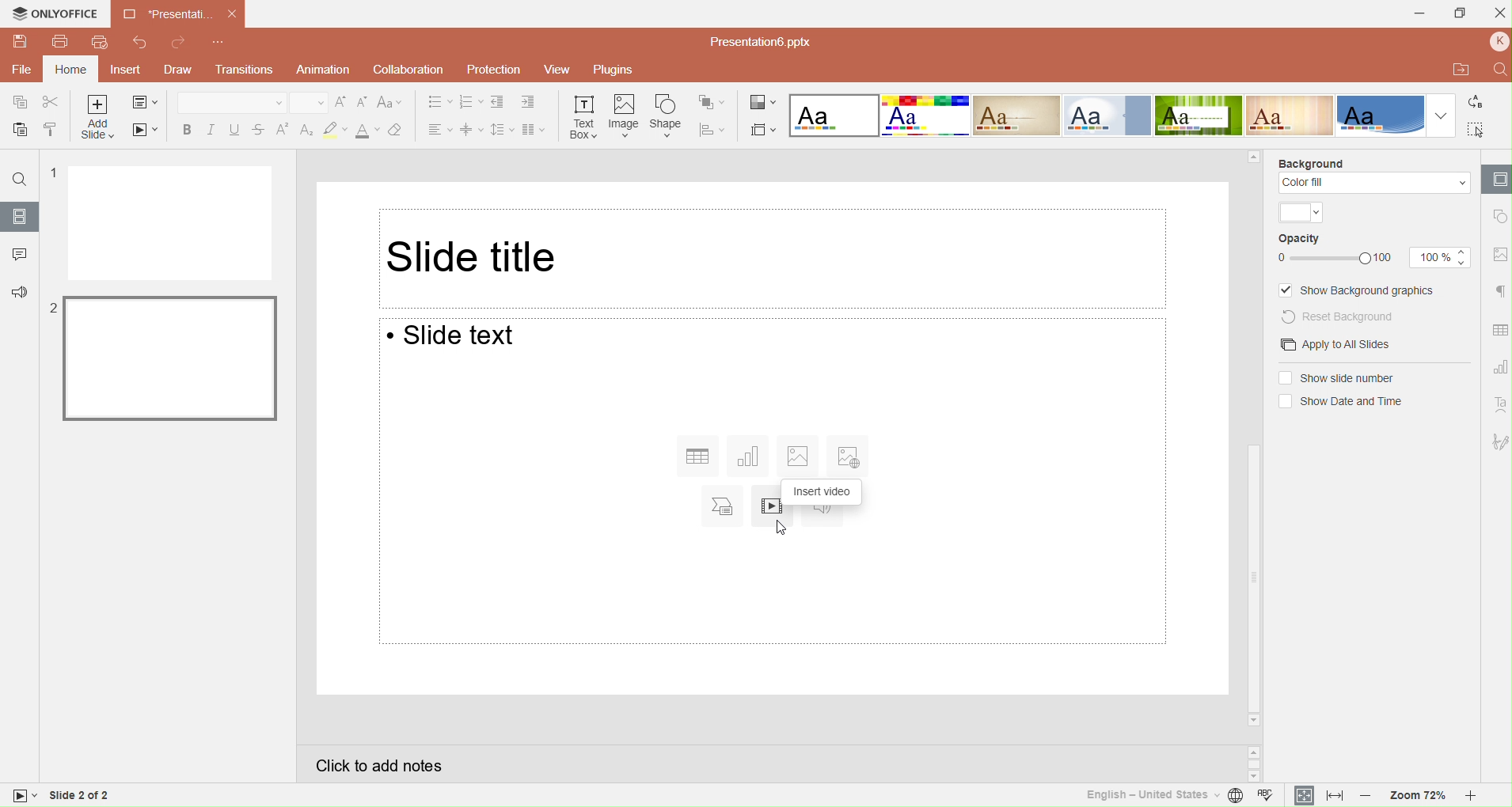 The height and width of the screenshot is (807, 1512). Describe the element at coordinates (699, 457) in the screenshot. I see `Insert table` at that location.